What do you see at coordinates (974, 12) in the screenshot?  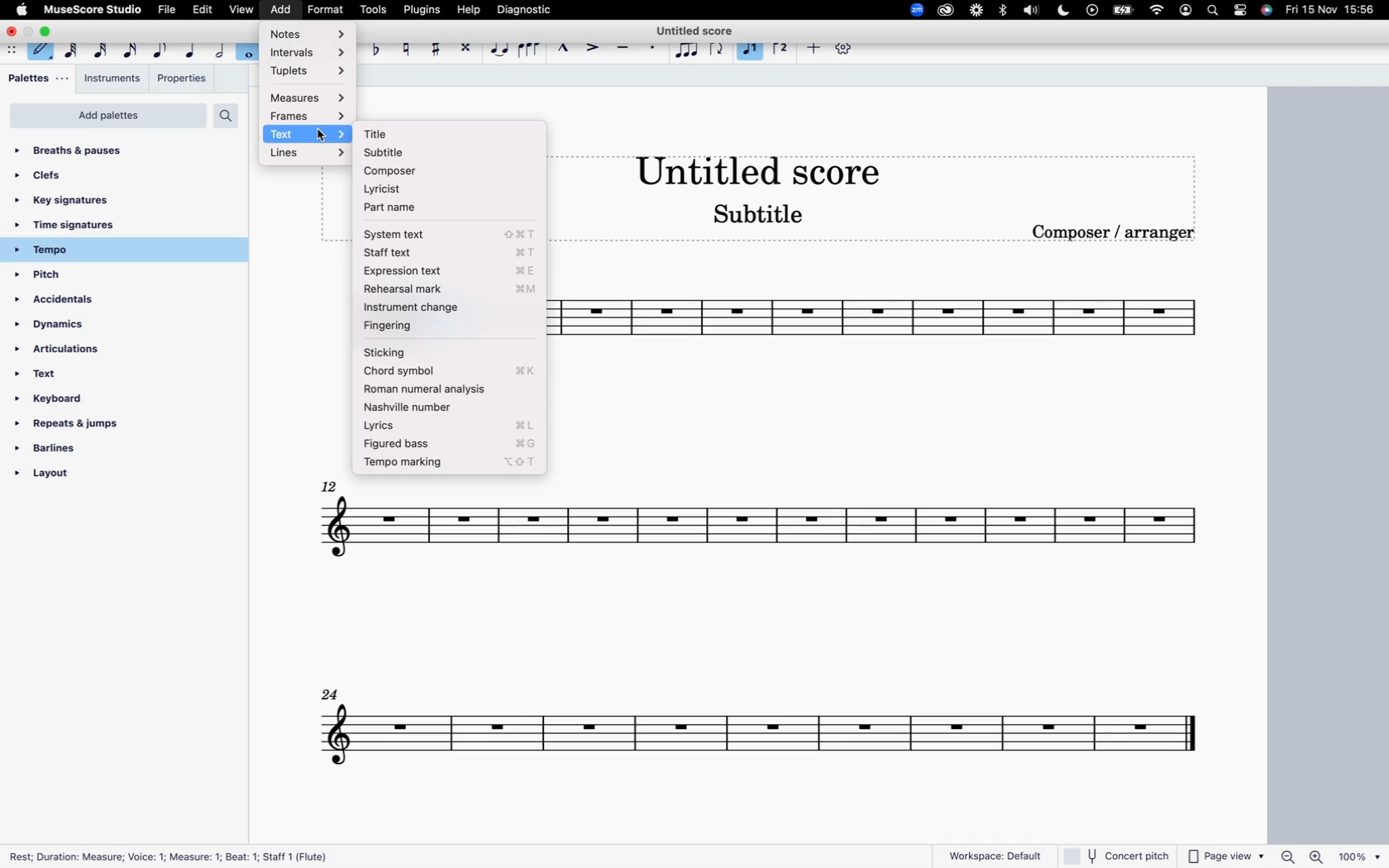 I see `loom` at bounding box center [974, 12].